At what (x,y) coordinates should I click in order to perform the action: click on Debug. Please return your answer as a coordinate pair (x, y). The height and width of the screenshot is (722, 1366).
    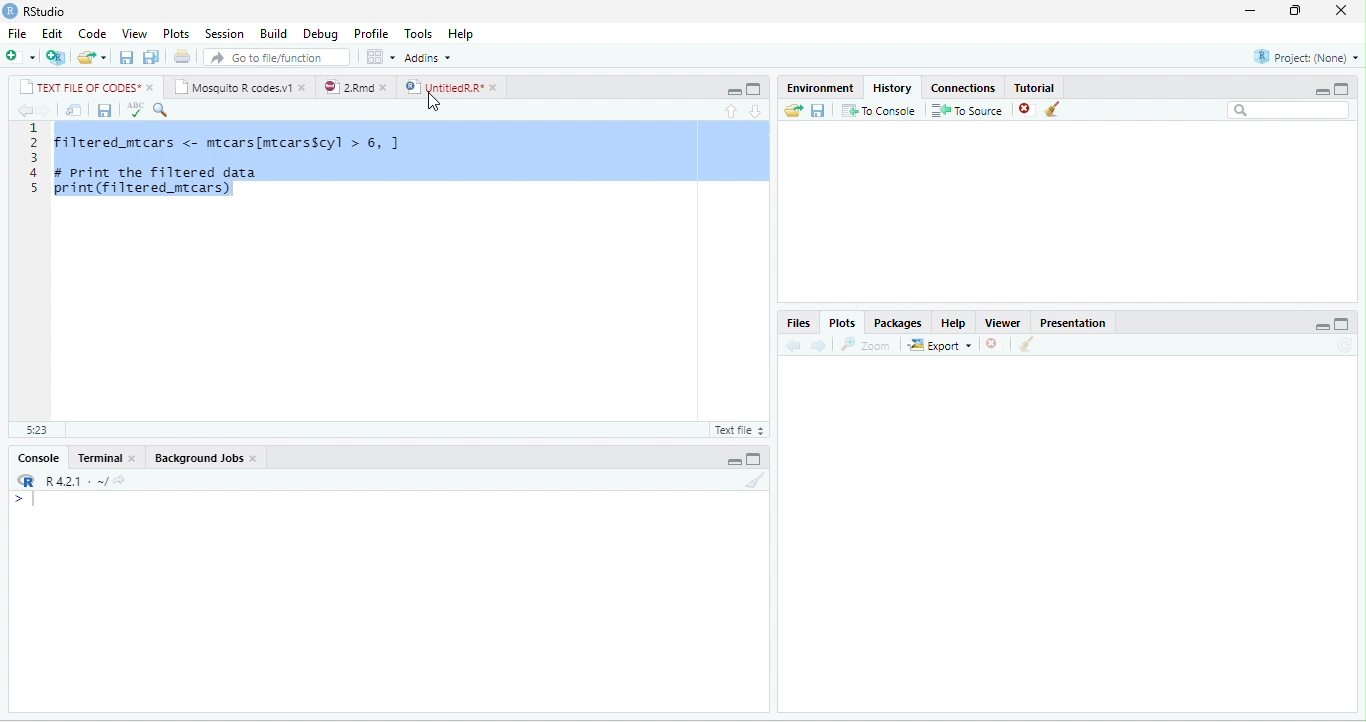
    Looking at the image, I should click on (320, 35).